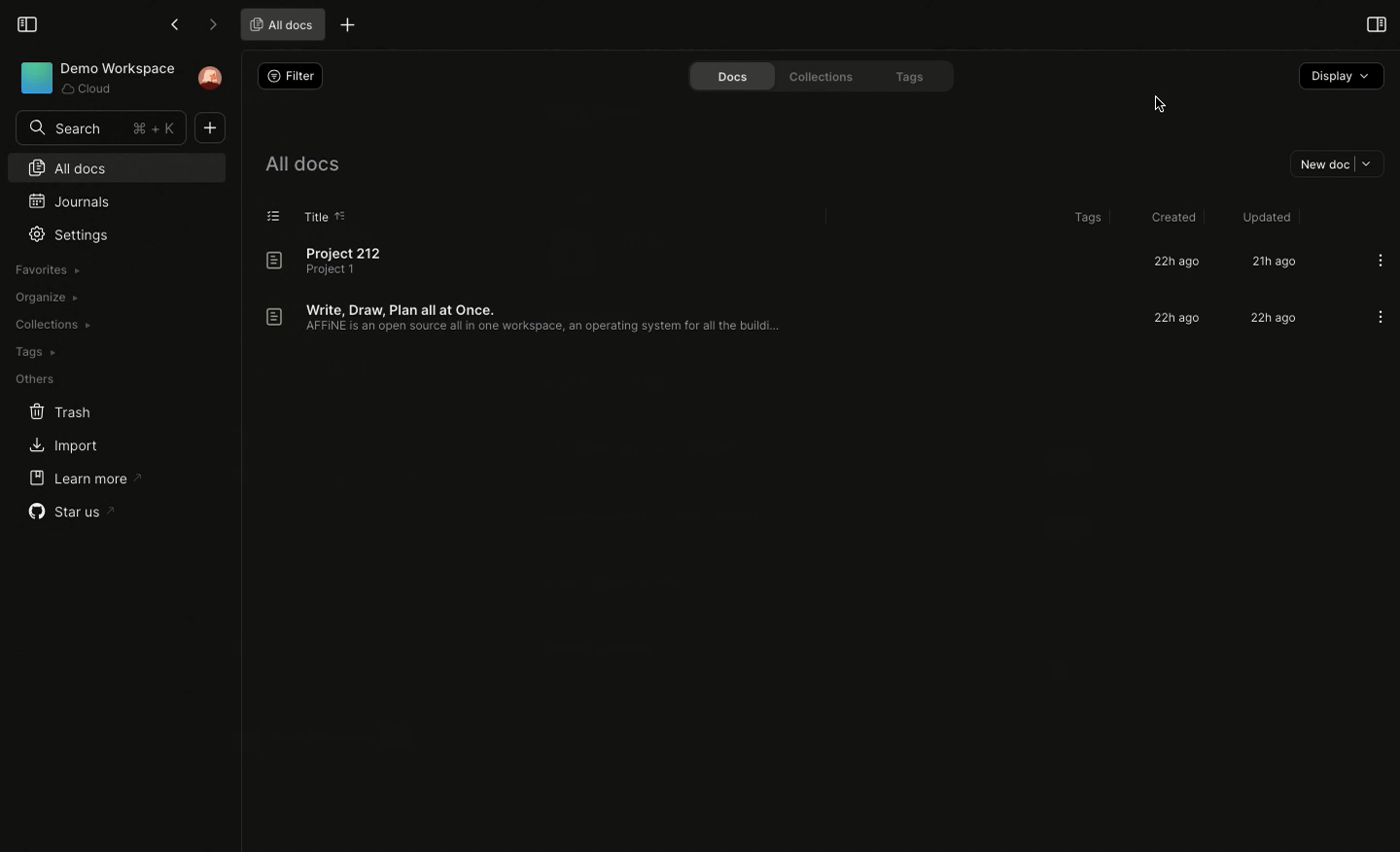  Describe the element at coordinates (60, 412) in the screenshot. I see `Trash` at that location.